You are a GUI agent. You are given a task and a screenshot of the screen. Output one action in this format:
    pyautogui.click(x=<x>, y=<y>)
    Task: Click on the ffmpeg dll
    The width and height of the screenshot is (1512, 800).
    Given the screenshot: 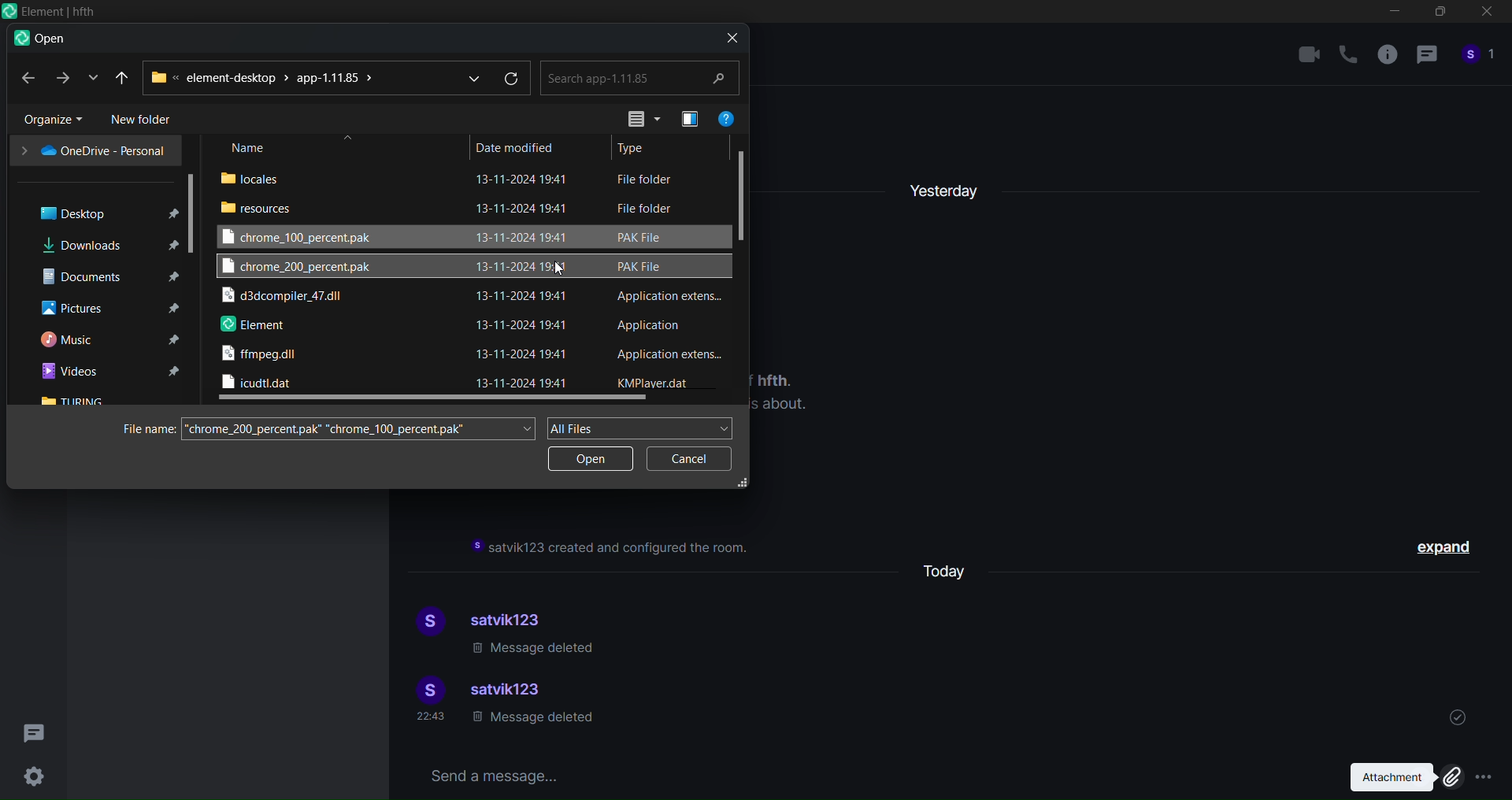 What is the action you would take?
    pyautogui.click(x=262, y=357)
    